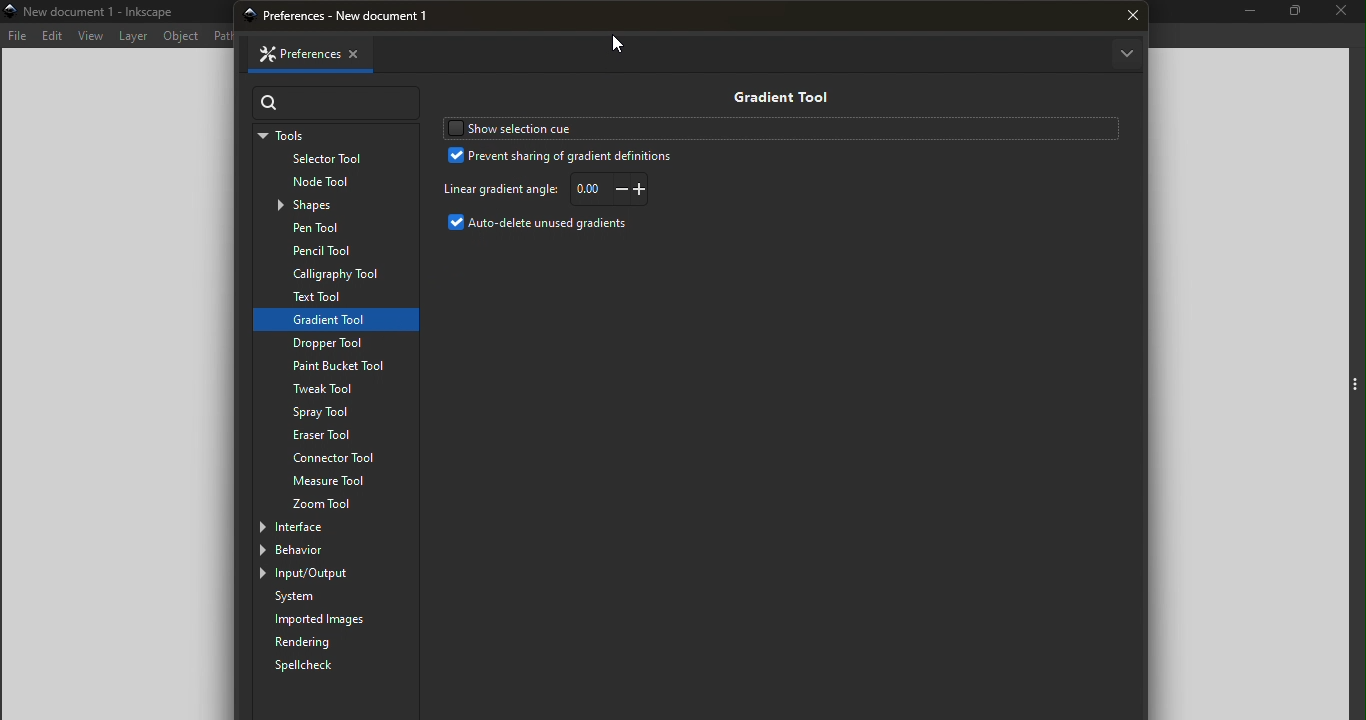 This screenshot has width=1366, height=720. Describe the element at coordinates (339, 620) in the screenshot. I see `Imported images` at that location.